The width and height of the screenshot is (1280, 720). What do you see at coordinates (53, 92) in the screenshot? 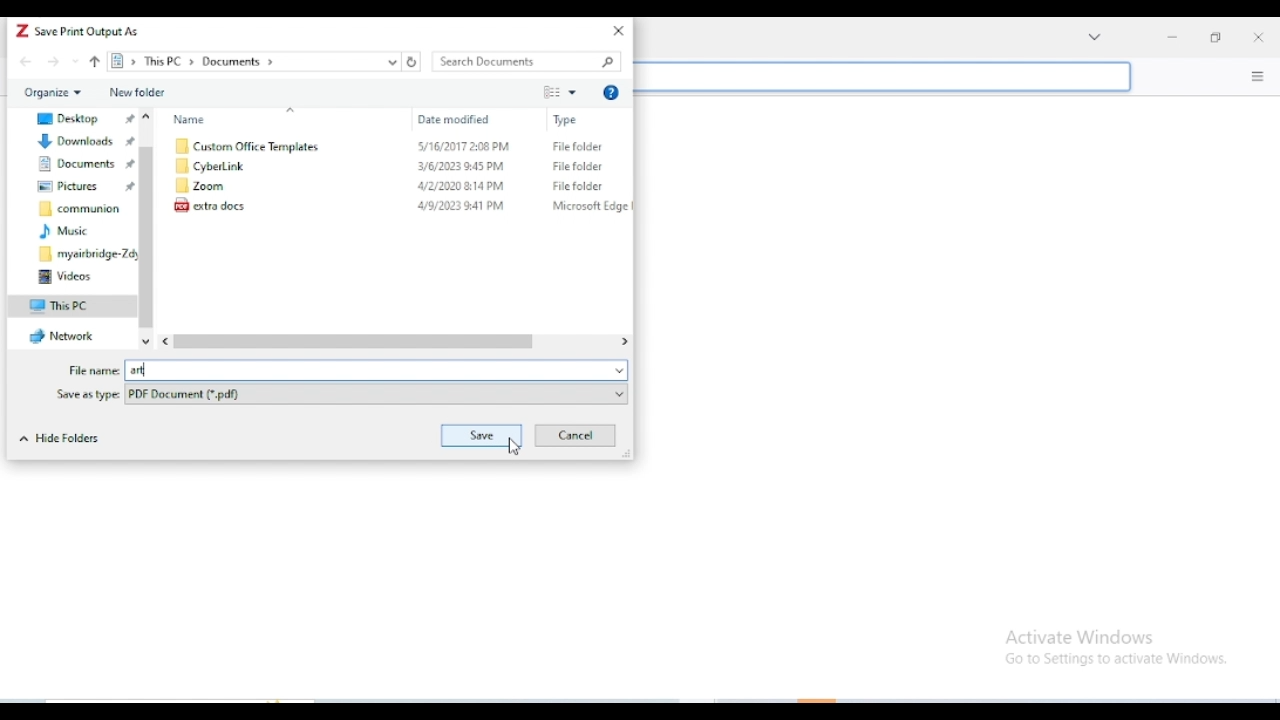
I see `organize` at bounding box center [53, 92].